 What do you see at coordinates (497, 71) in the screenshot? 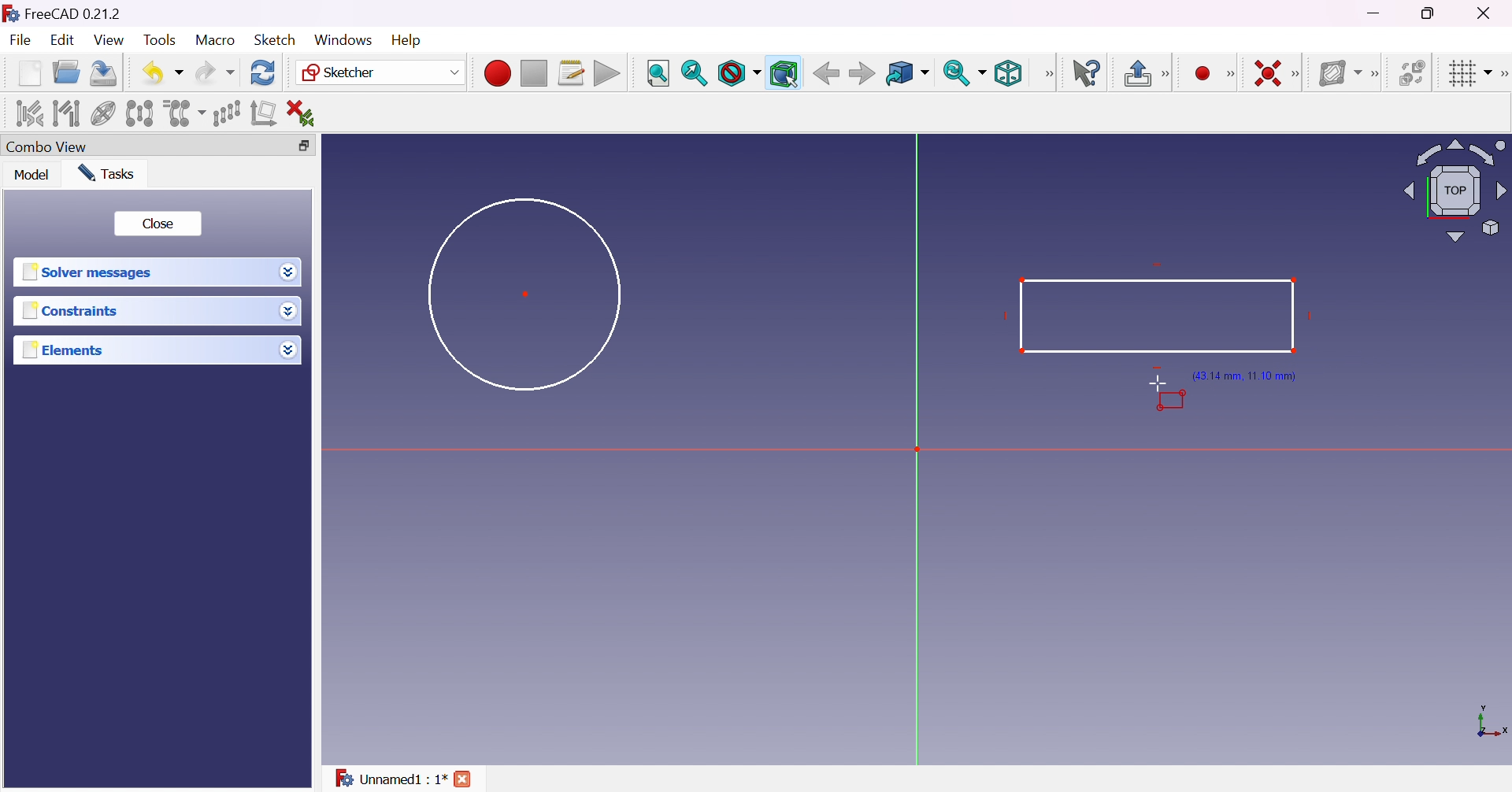
I see `Macro recording...` at bounding box center [497, 71].